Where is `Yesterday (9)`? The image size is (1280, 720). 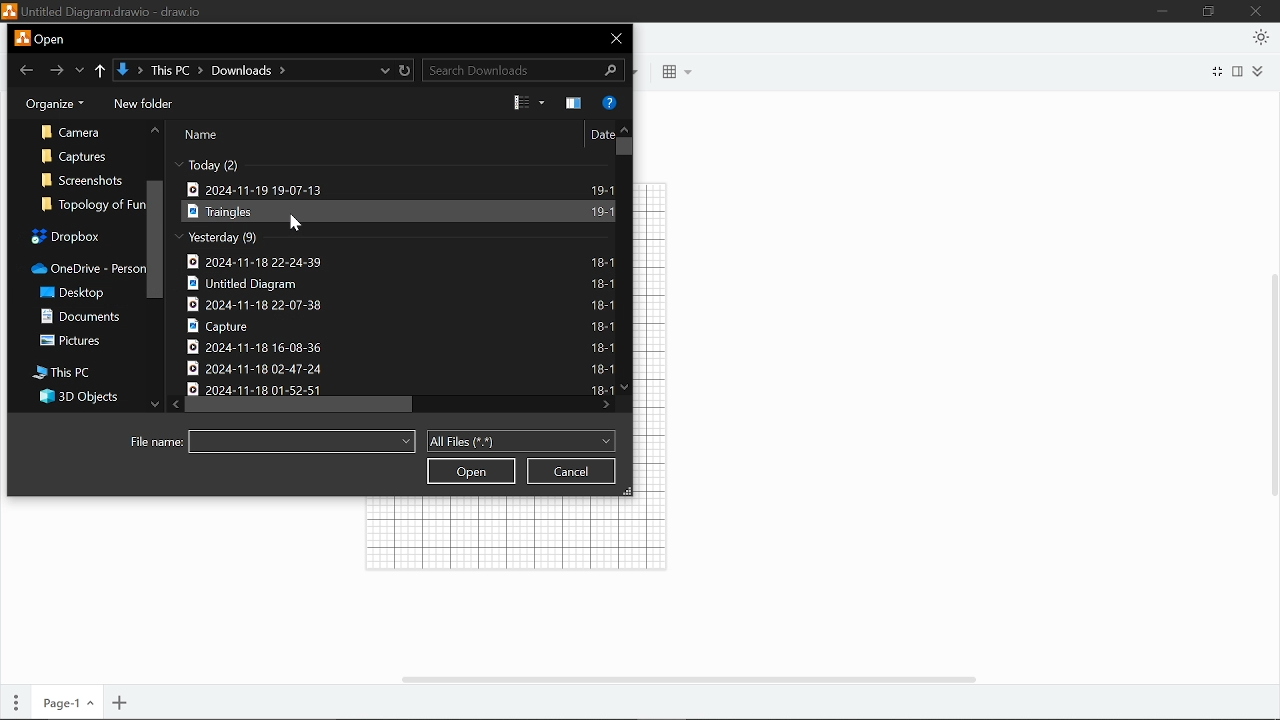
Yesterday (9) is located at coordinates (217, 237).